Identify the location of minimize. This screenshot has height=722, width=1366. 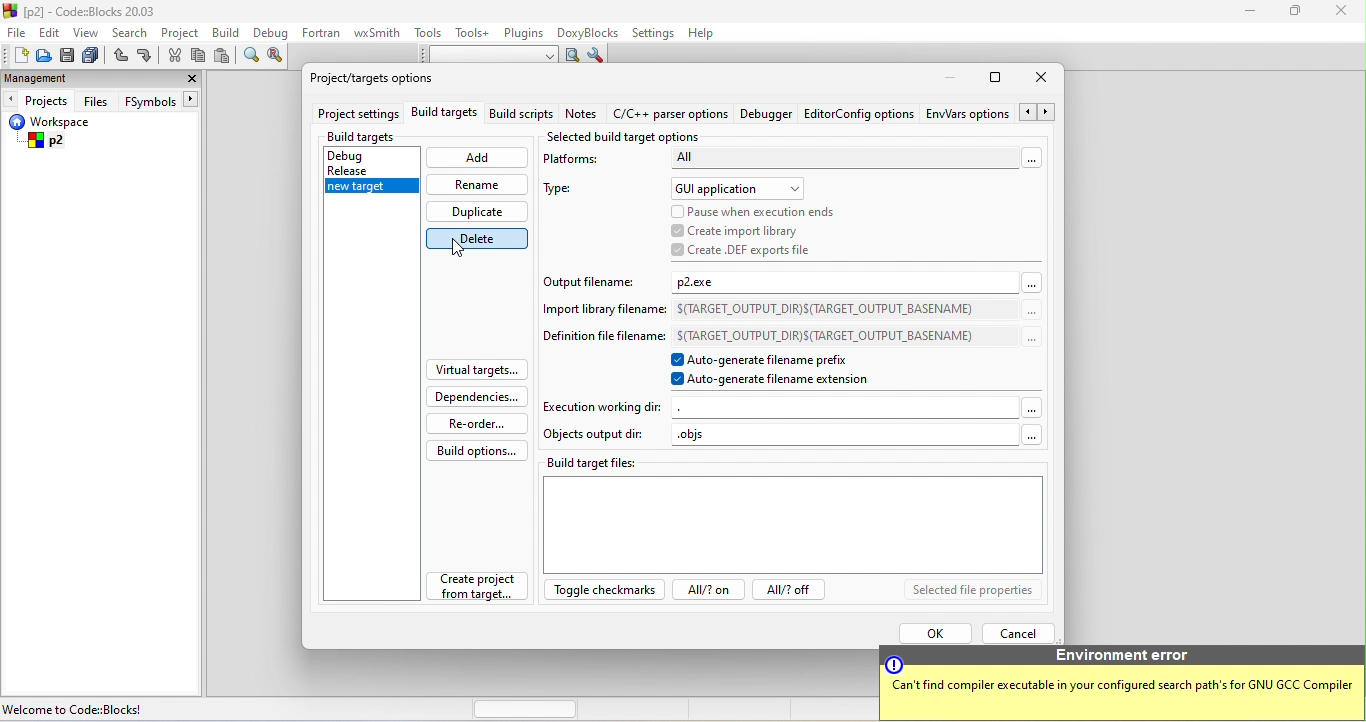
(1255, 15).